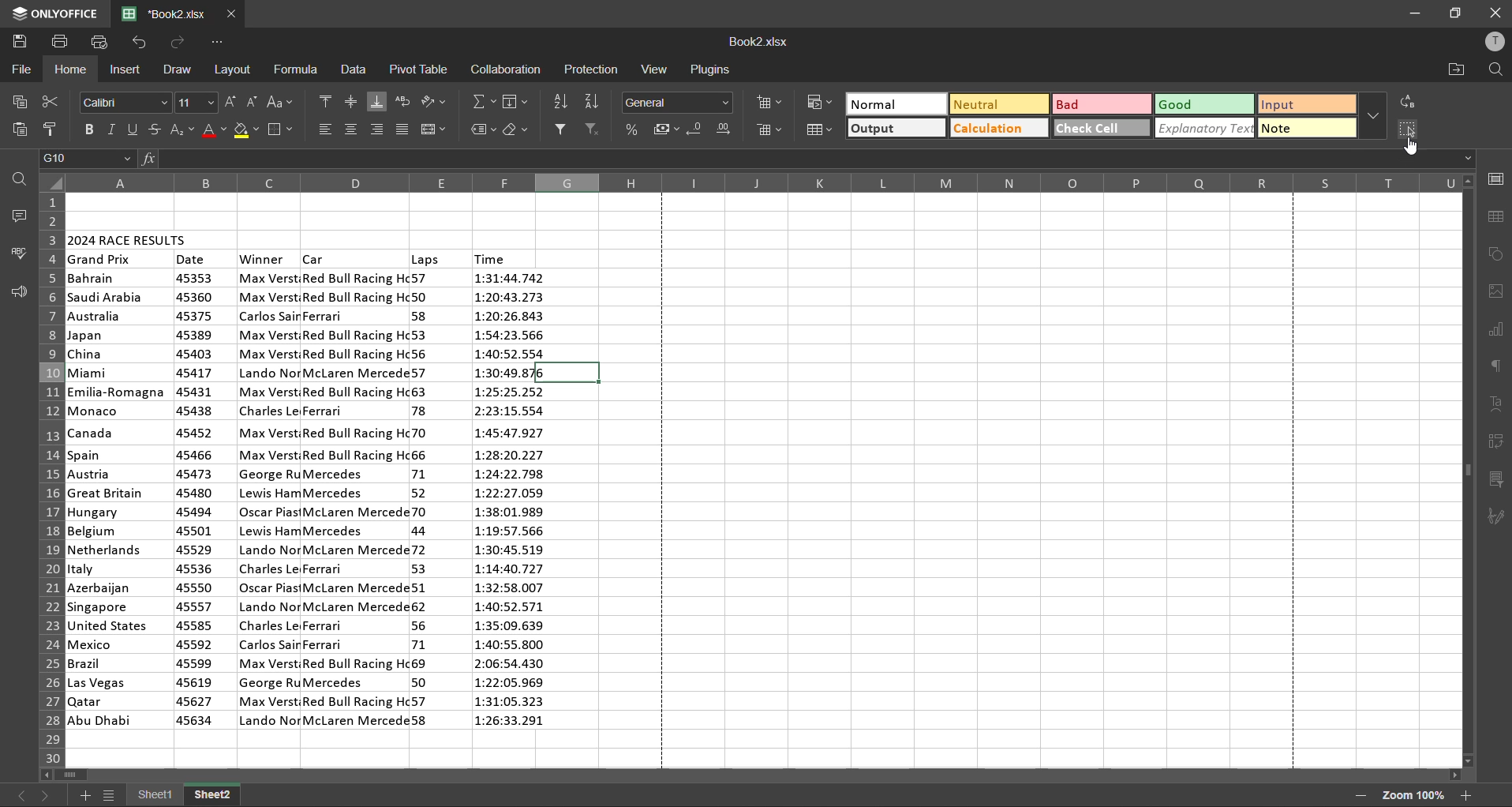 This screenshot has height=807, width=1512. Describe the element at coordinates (279, 103) in the screenshot. I see `change case` at that location.